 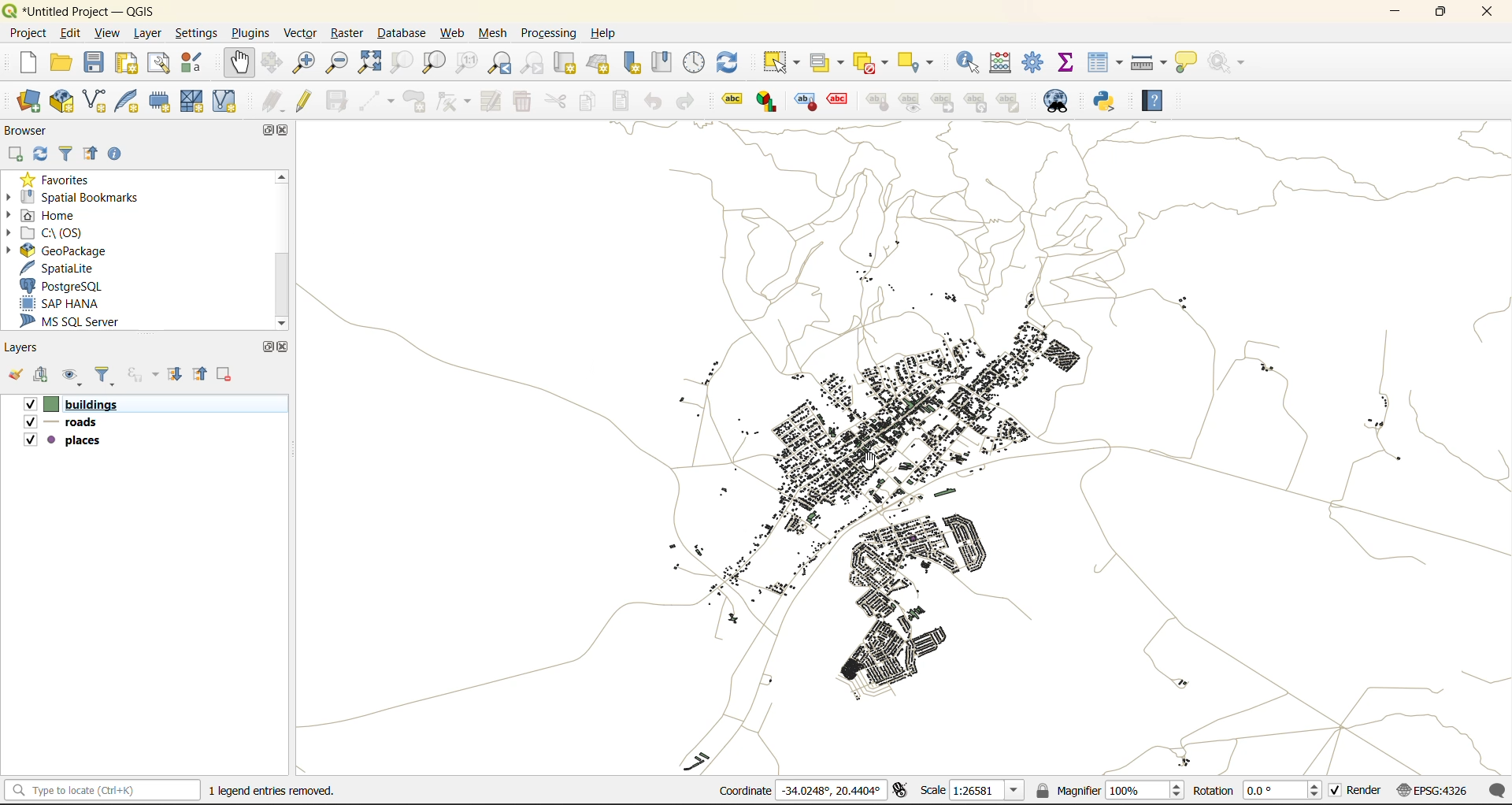 What do you see at coordinates (73, 33) in the screenshot?
I see `edit` at bounding box center [73, 33].